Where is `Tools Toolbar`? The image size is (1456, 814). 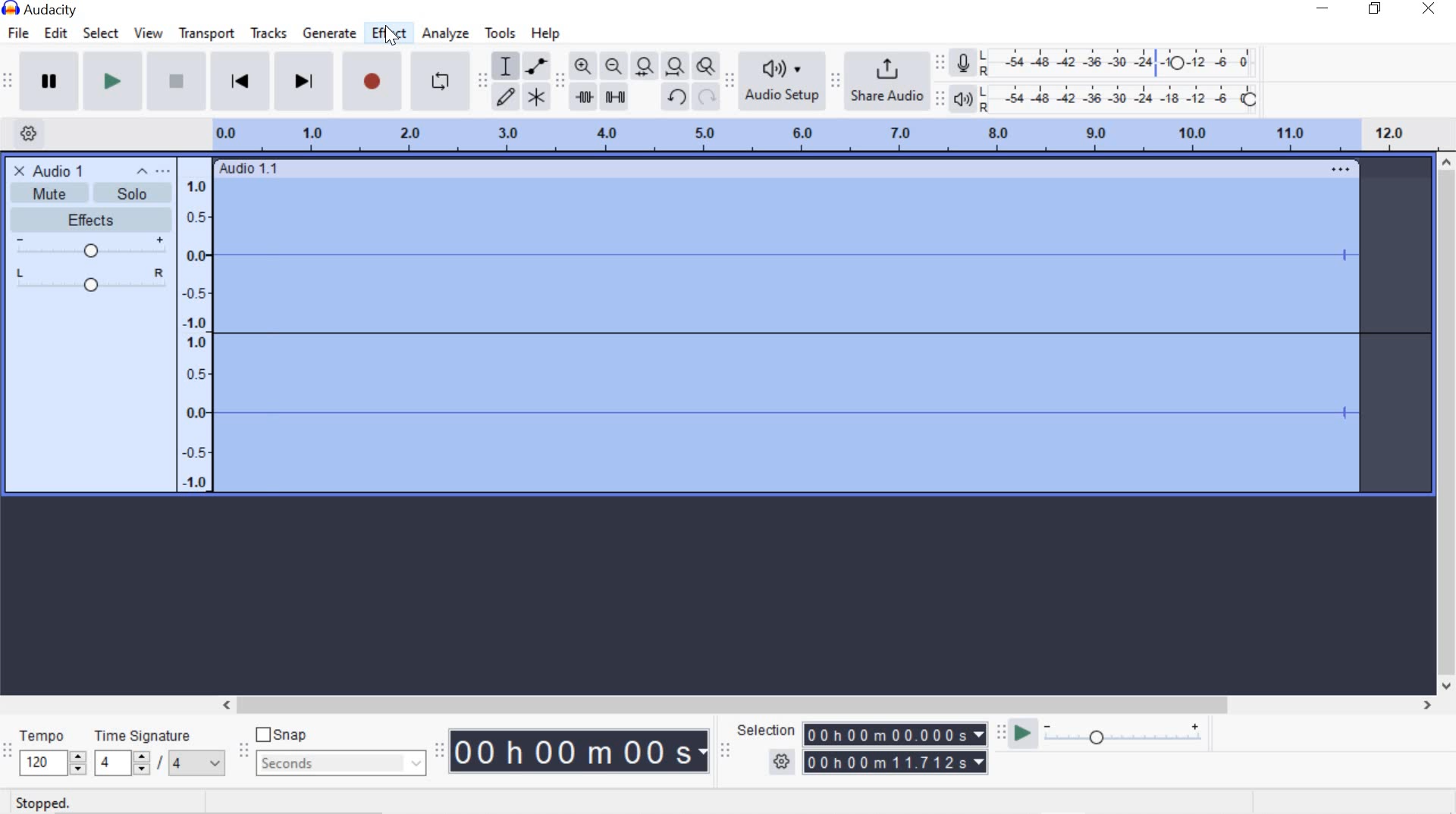
Tools Toolbar is located at coordinates (483, 77).